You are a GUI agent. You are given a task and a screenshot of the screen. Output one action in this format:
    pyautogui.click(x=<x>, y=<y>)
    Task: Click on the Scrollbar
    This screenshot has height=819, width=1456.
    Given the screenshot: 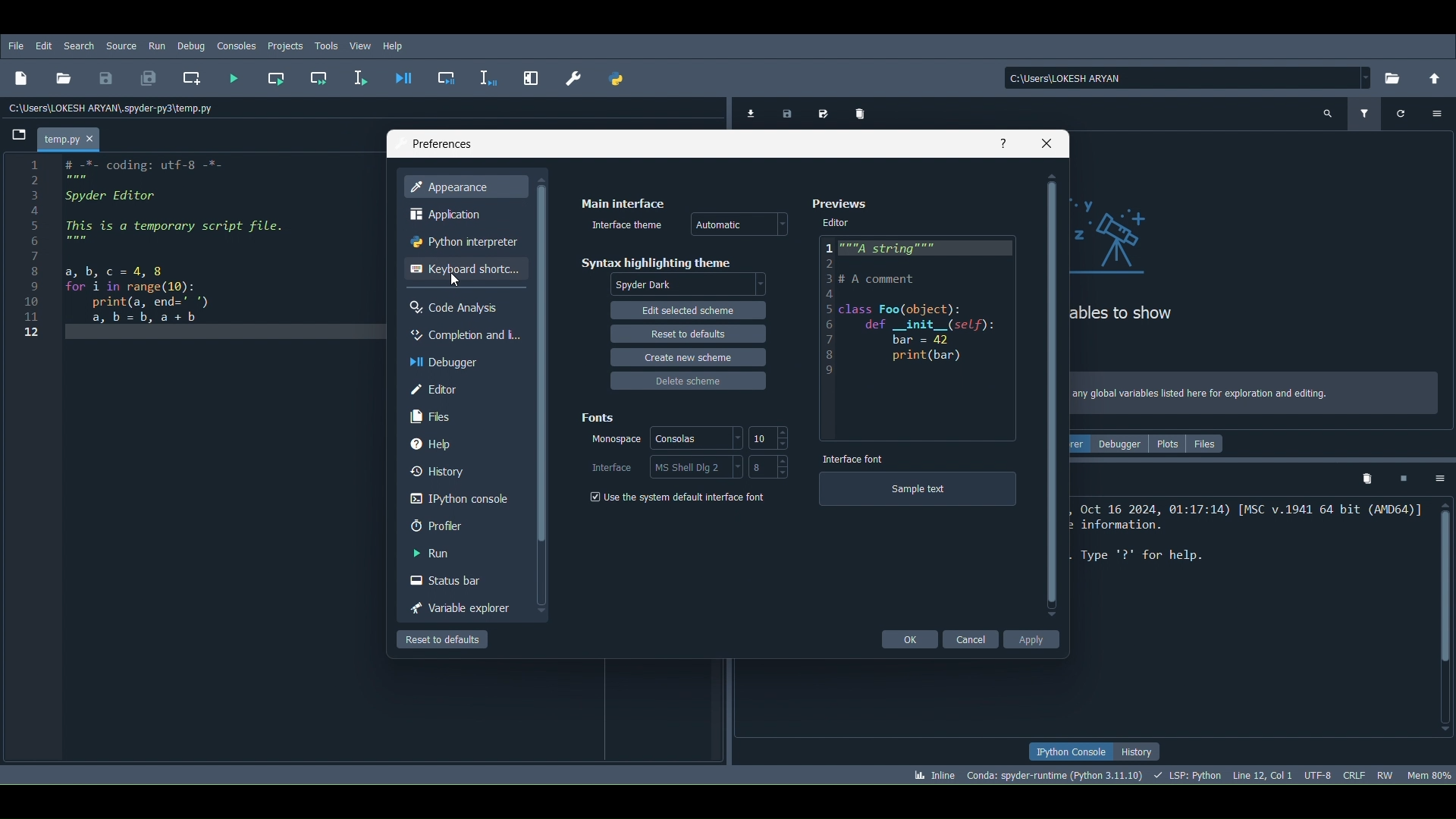 What is the action you would take?
    pyautogui.click(x=1446, y=617)
    